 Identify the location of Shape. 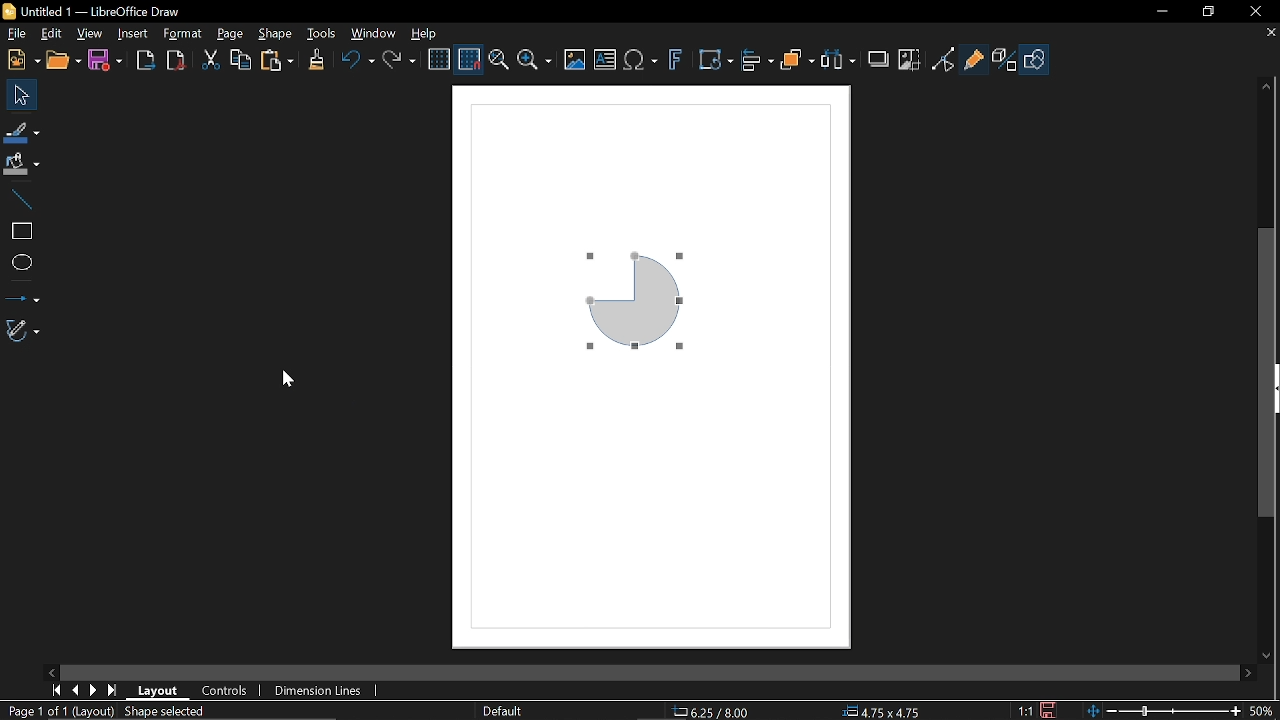
(1038, 60).